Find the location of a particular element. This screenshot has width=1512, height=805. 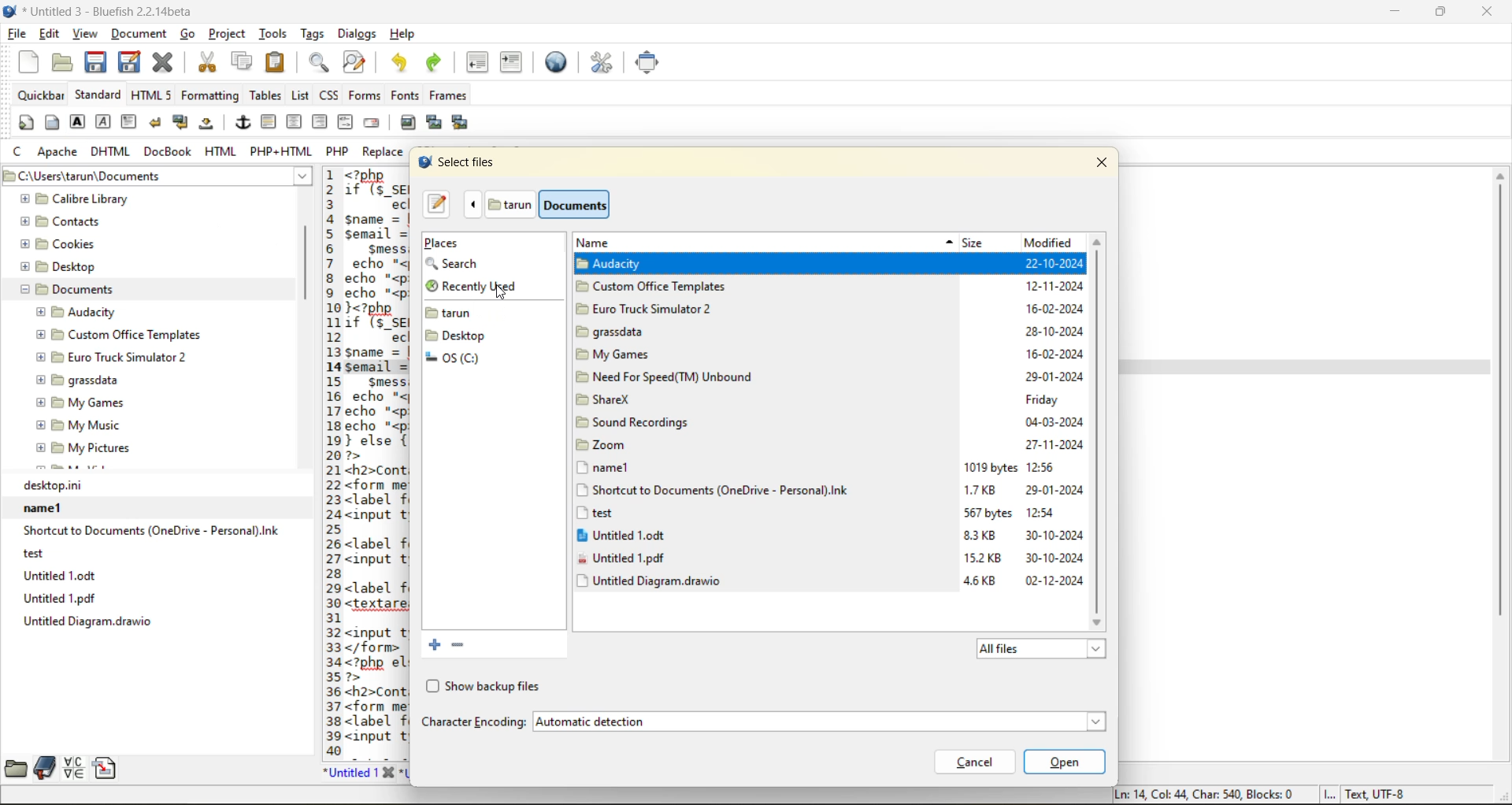

tags is located at coordinates (312, 35).